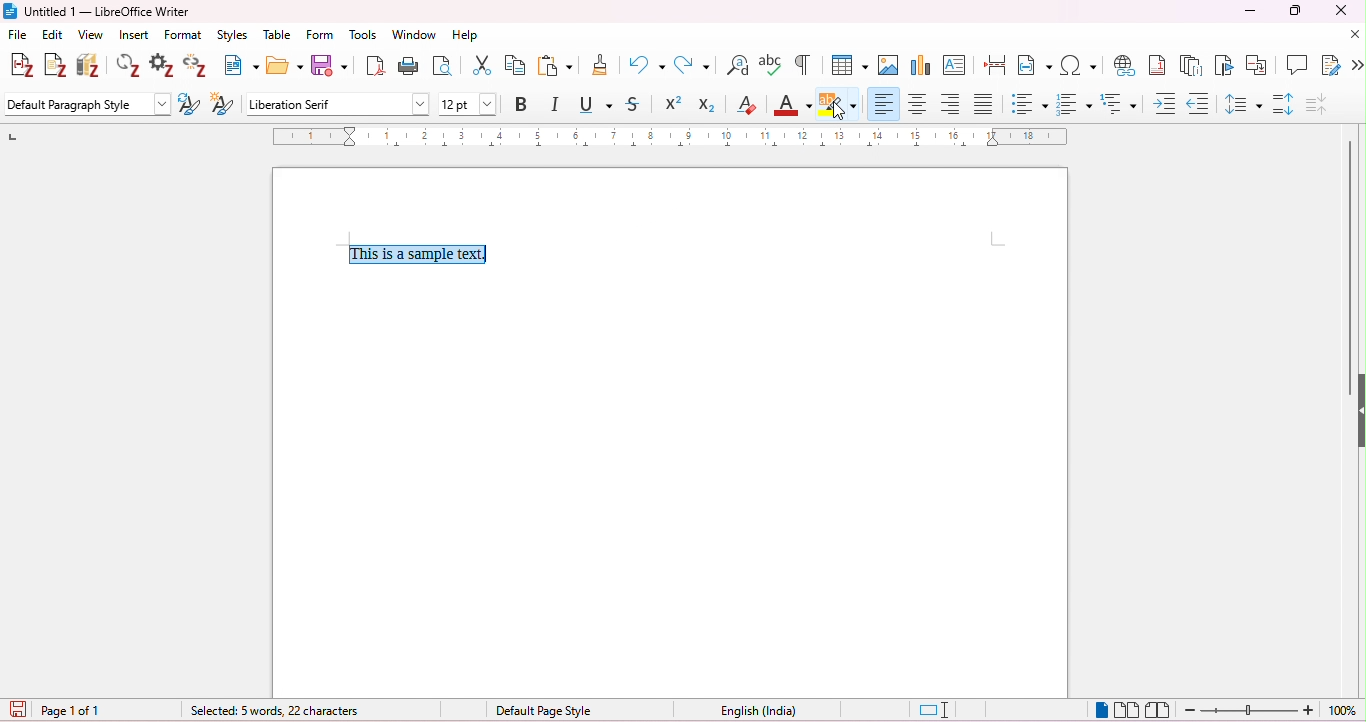  Describe the element at coordinates (258, 709) in the screenshot. I see `word count` at that location.